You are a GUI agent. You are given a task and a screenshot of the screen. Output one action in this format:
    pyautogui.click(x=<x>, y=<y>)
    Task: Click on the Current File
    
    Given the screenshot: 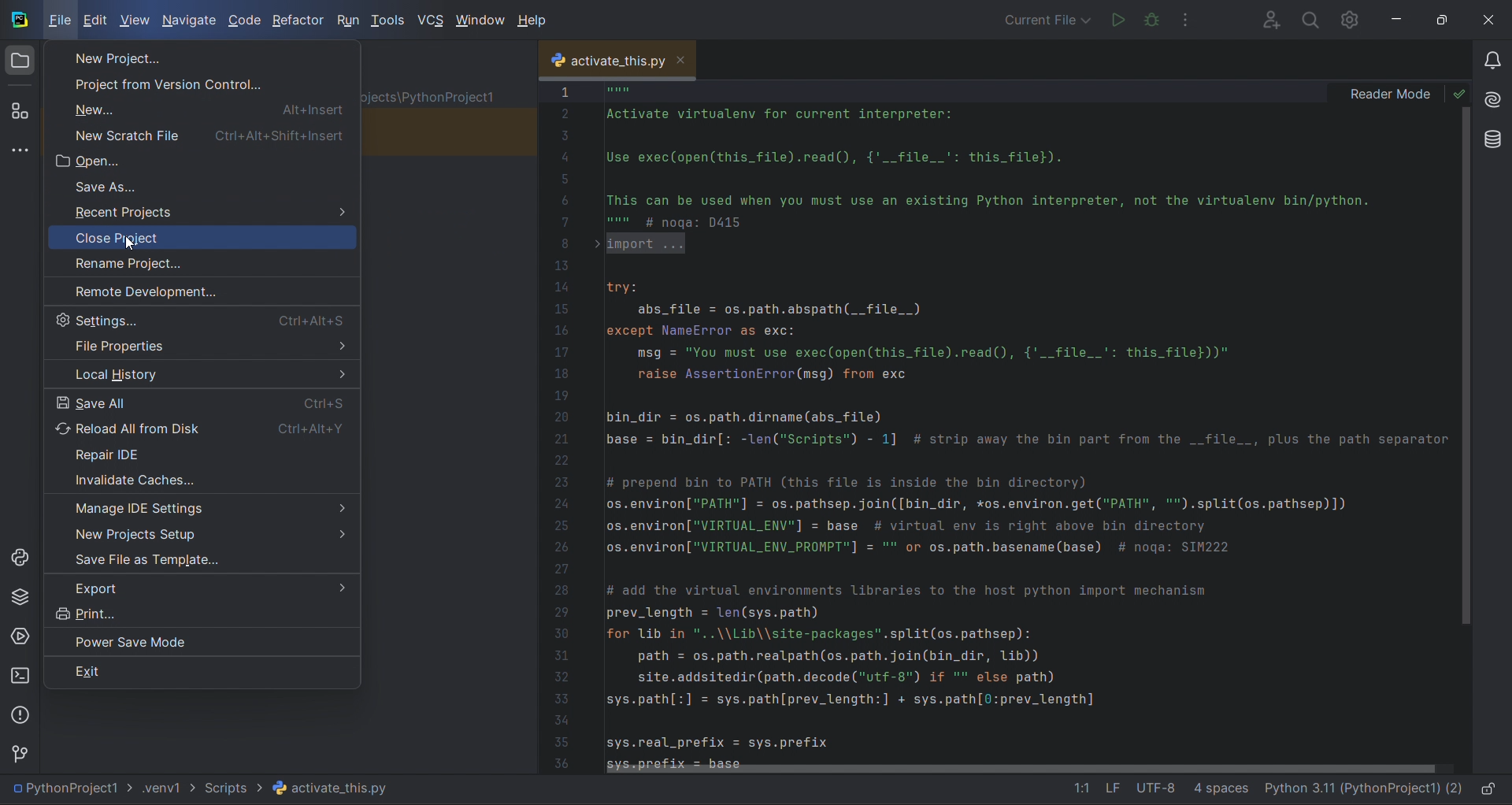 What is the action you would take?
    pyautogui.click(x=1048, y=21)
    